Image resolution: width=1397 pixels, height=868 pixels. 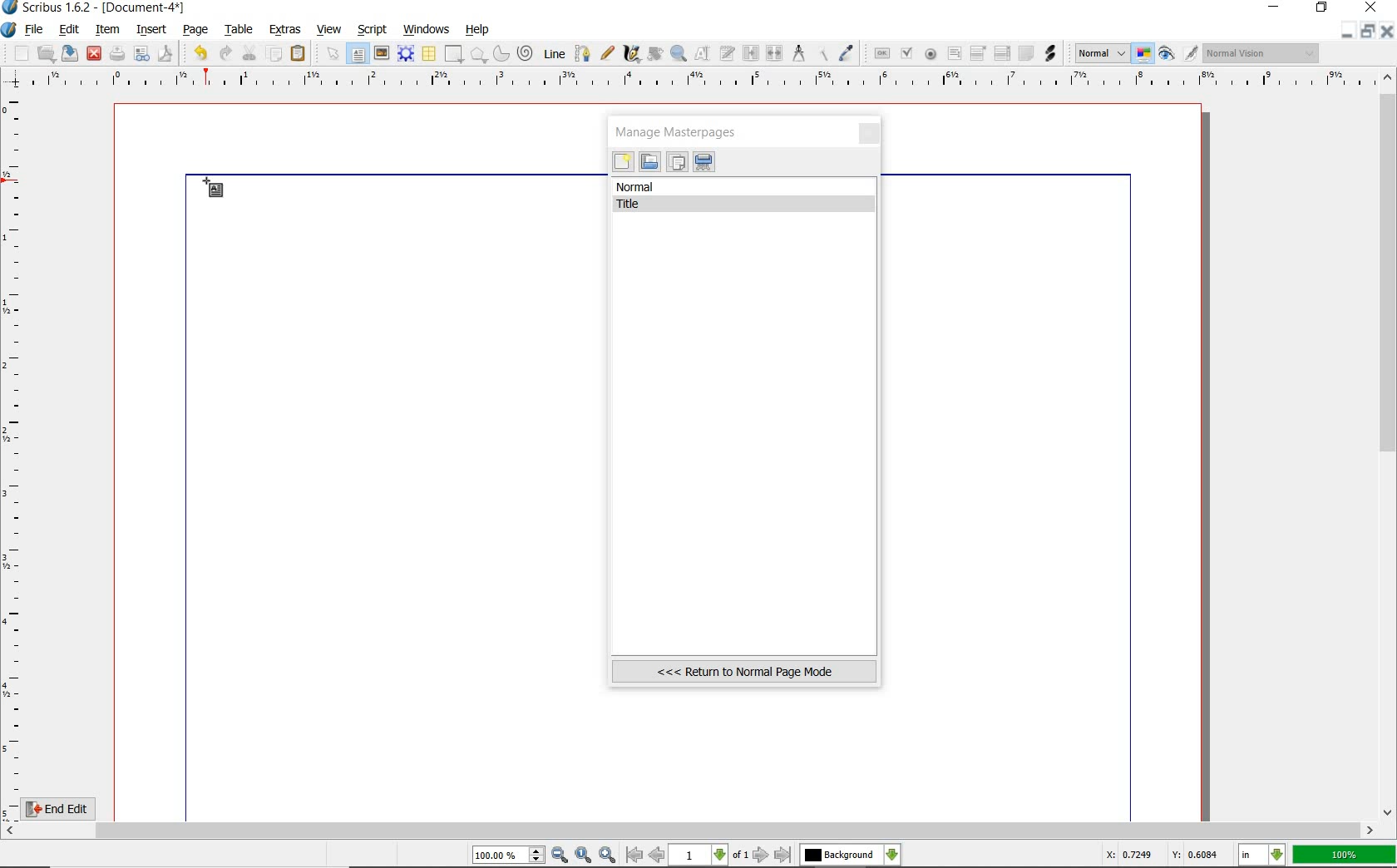 I want to click on 100%, so click(x=1345, y=855).